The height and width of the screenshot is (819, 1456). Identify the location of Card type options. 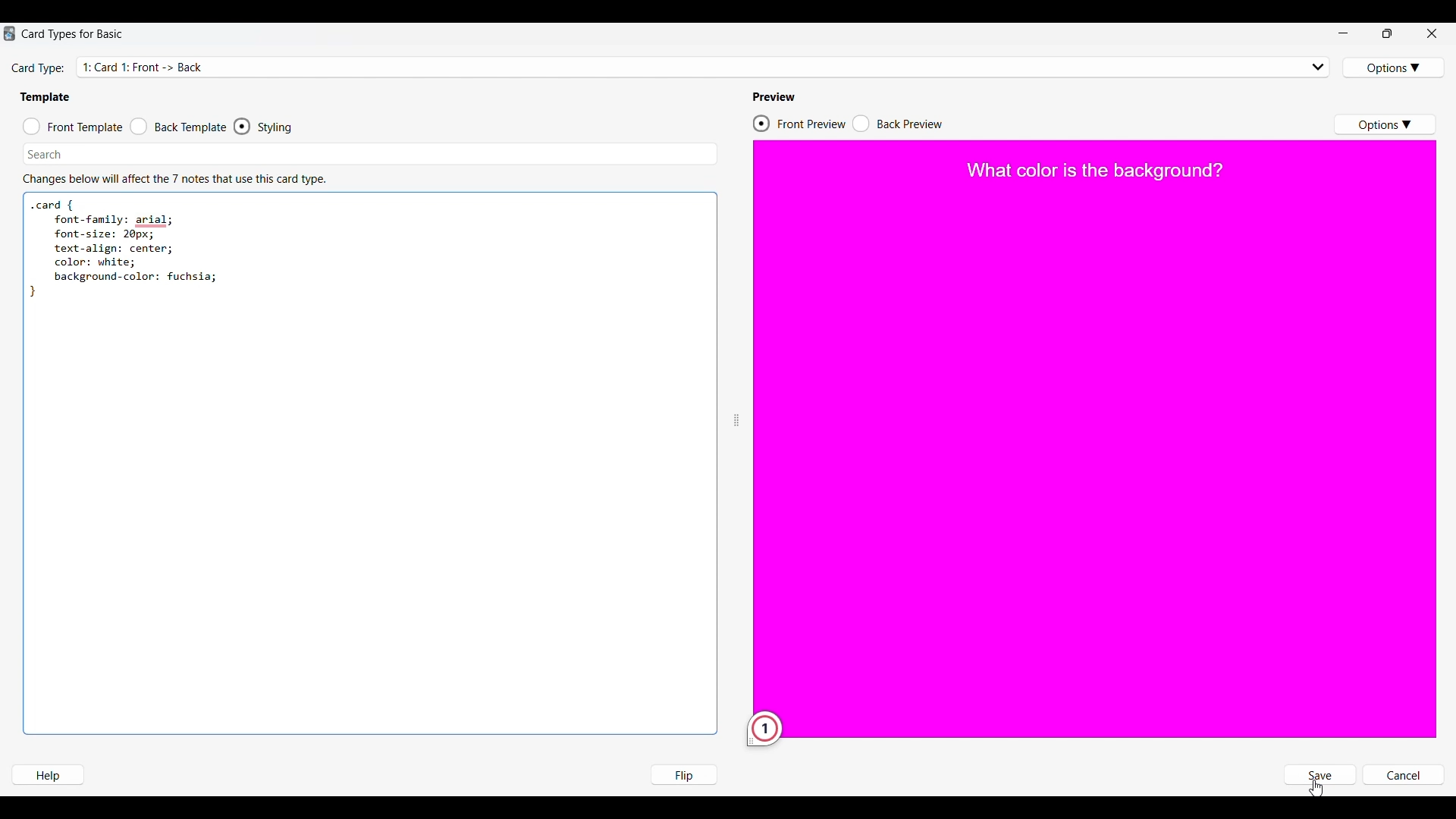
(1395, 67).